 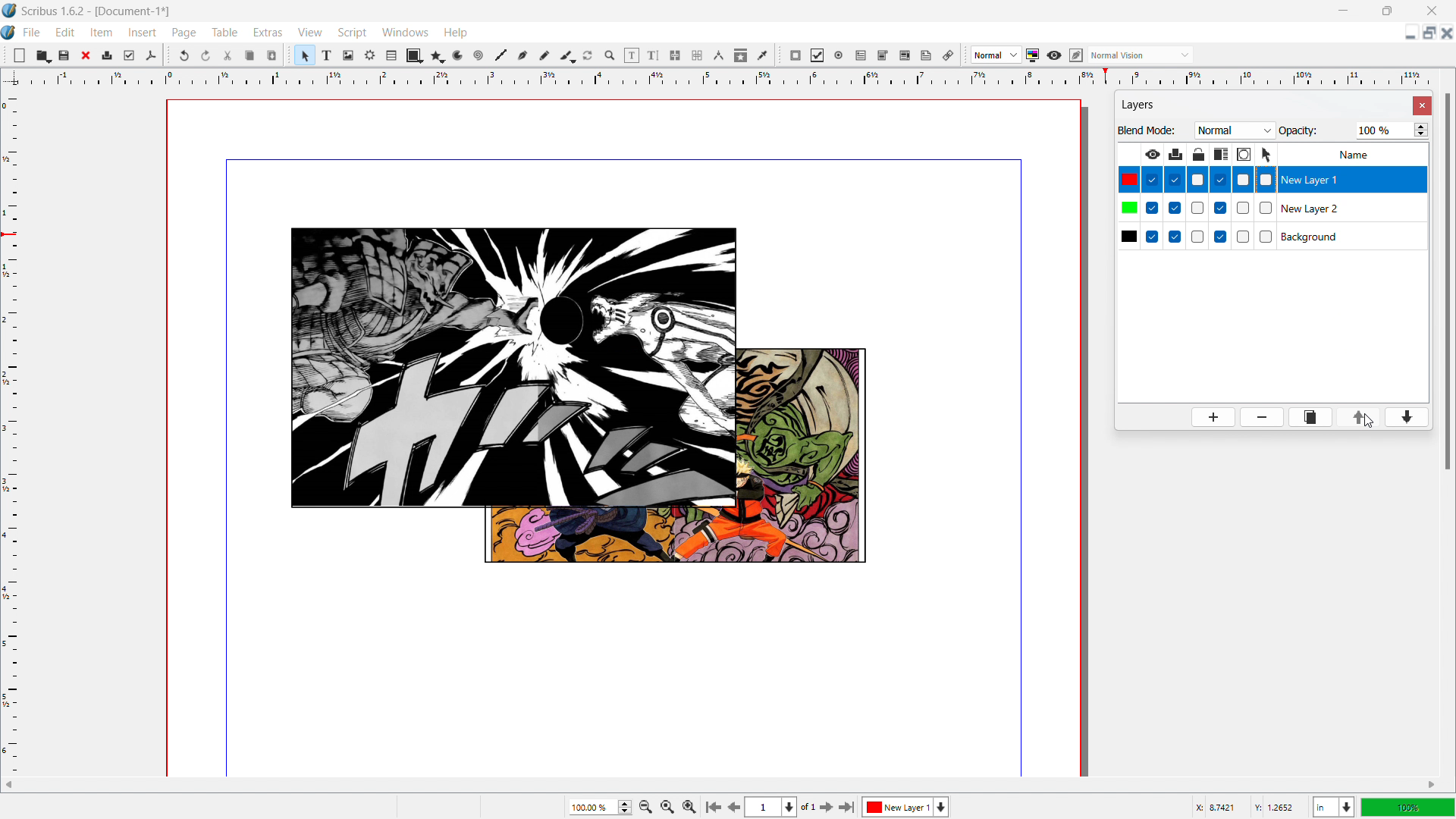 I want to click on make text in lower layer float around object, so click(x=1221, y=154).